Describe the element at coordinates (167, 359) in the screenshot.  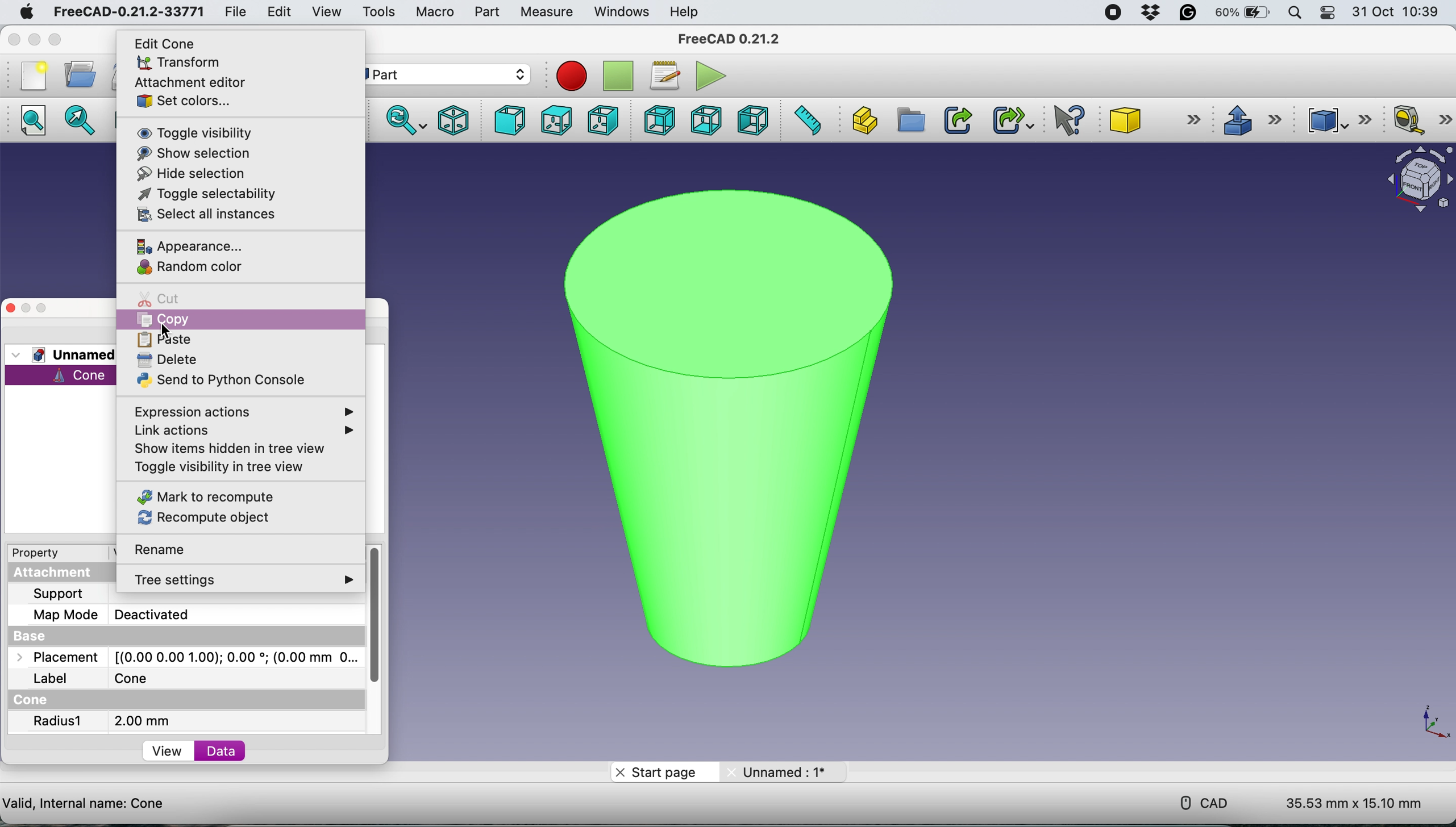
I see `delete` at that location.